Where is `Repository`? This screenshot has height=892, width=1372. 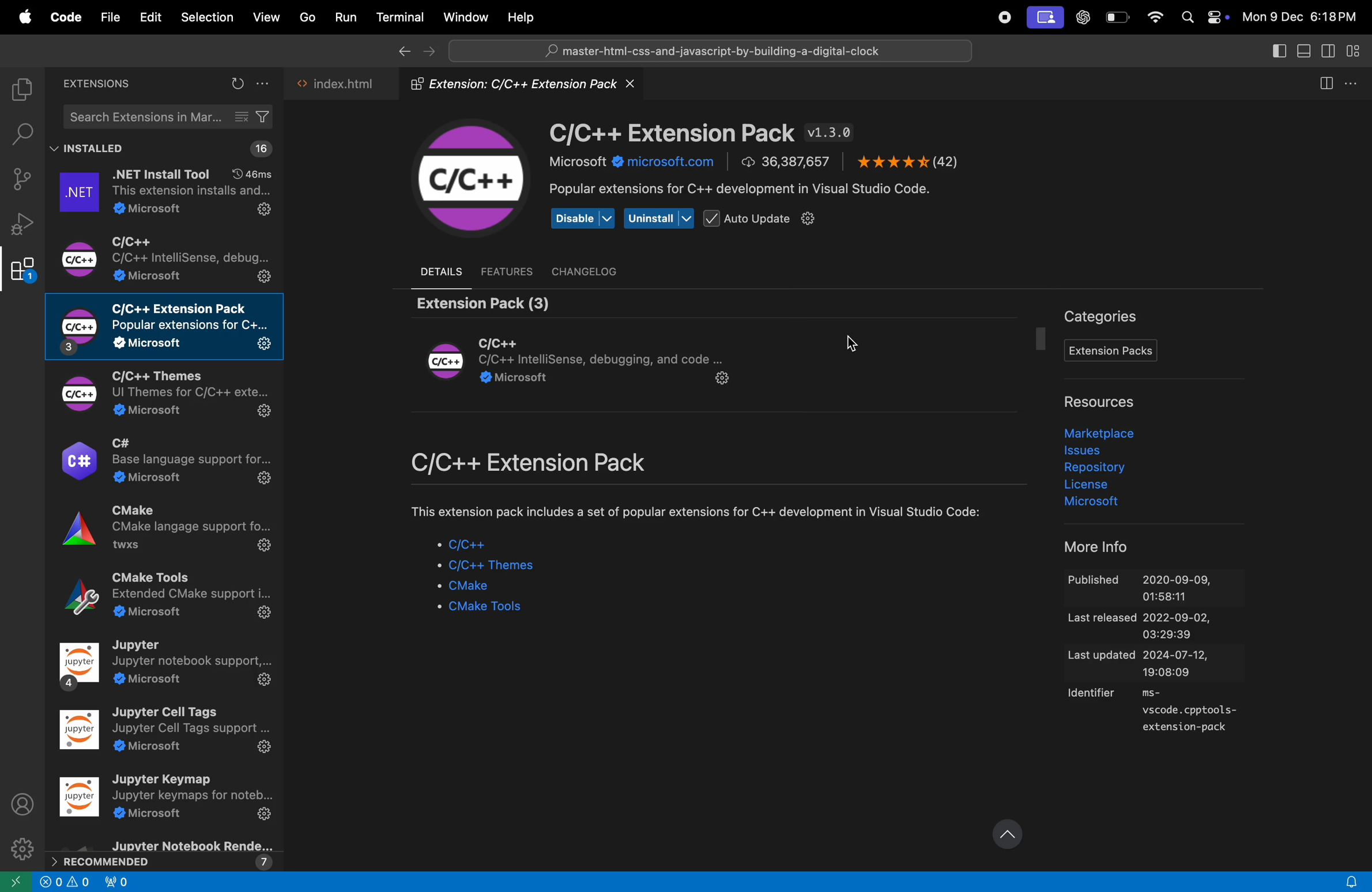 Repository is located at coordinates (1098, 467).